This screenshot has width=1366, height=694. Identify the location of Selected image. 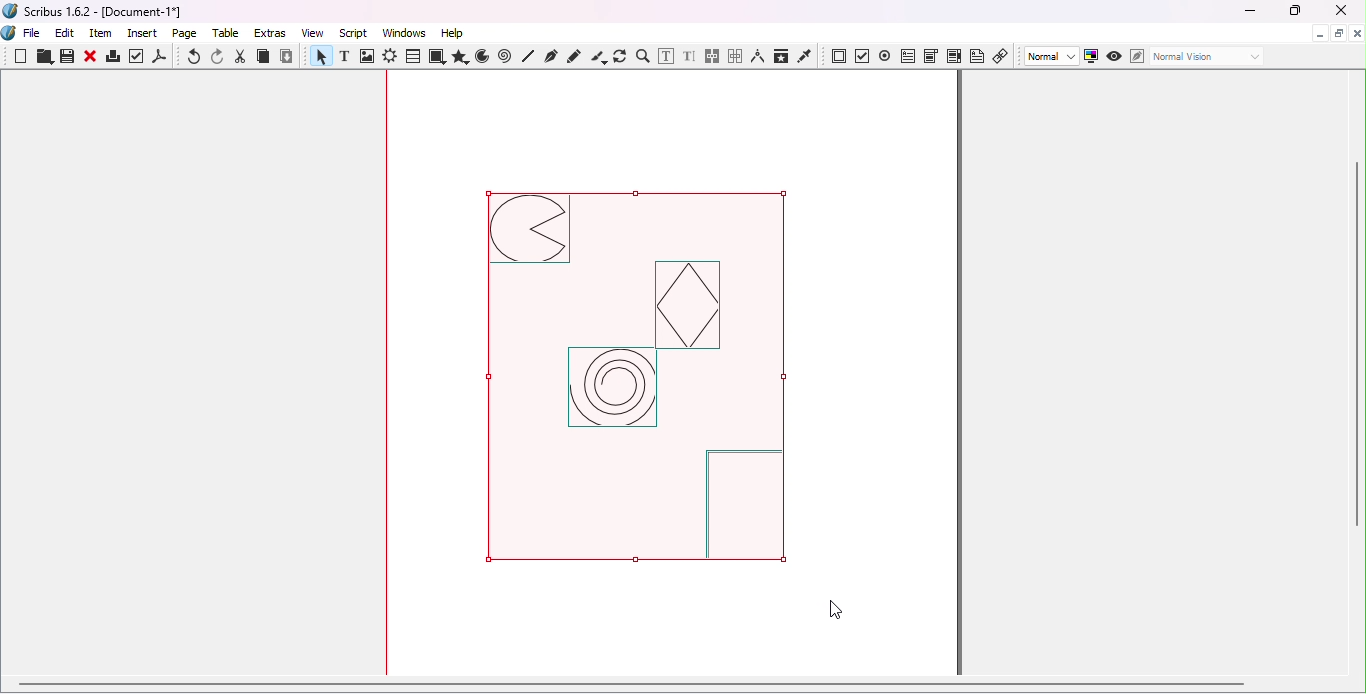
(652, 385).